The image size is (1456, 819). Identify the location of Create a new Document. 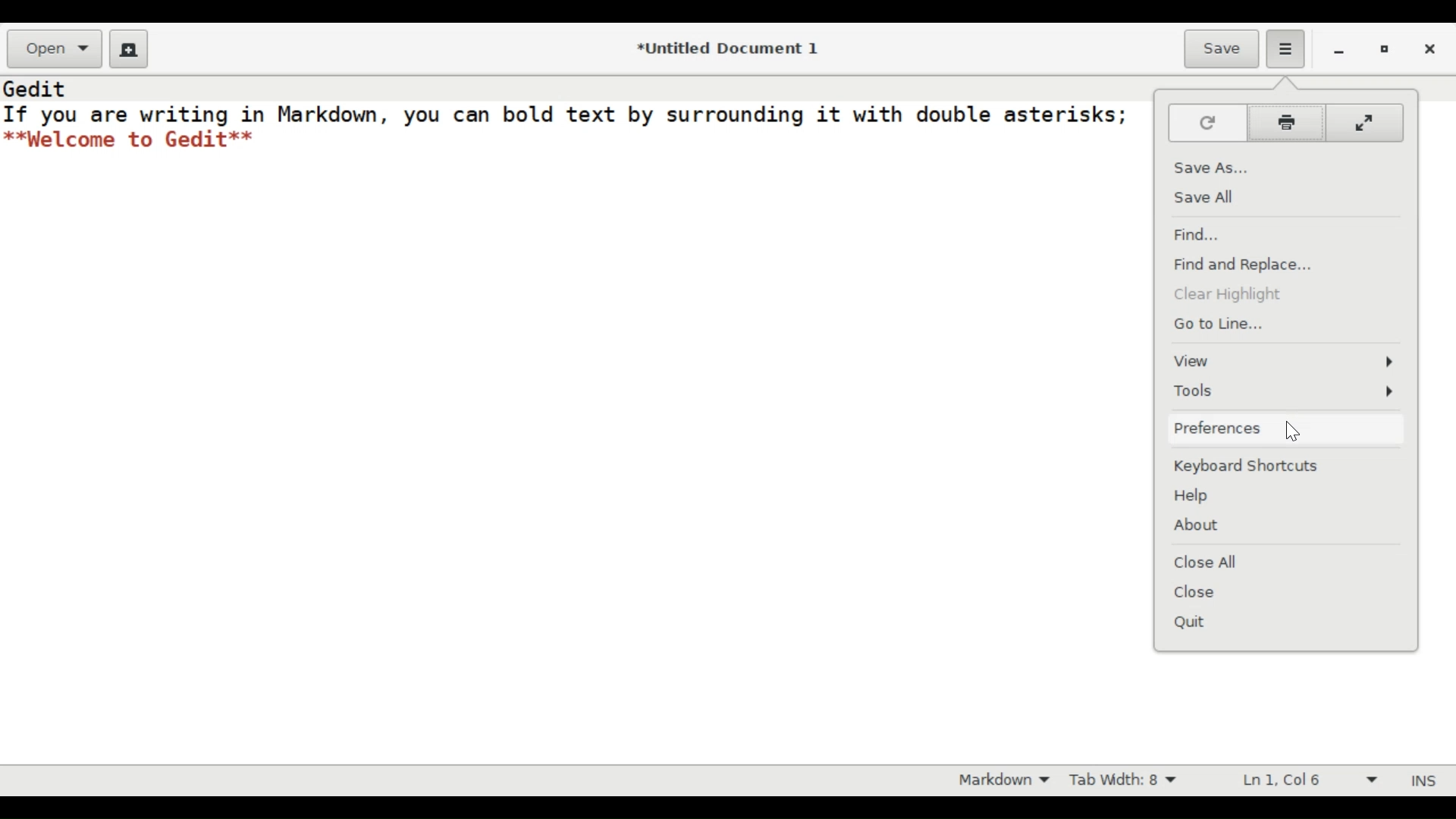
(129, 49).